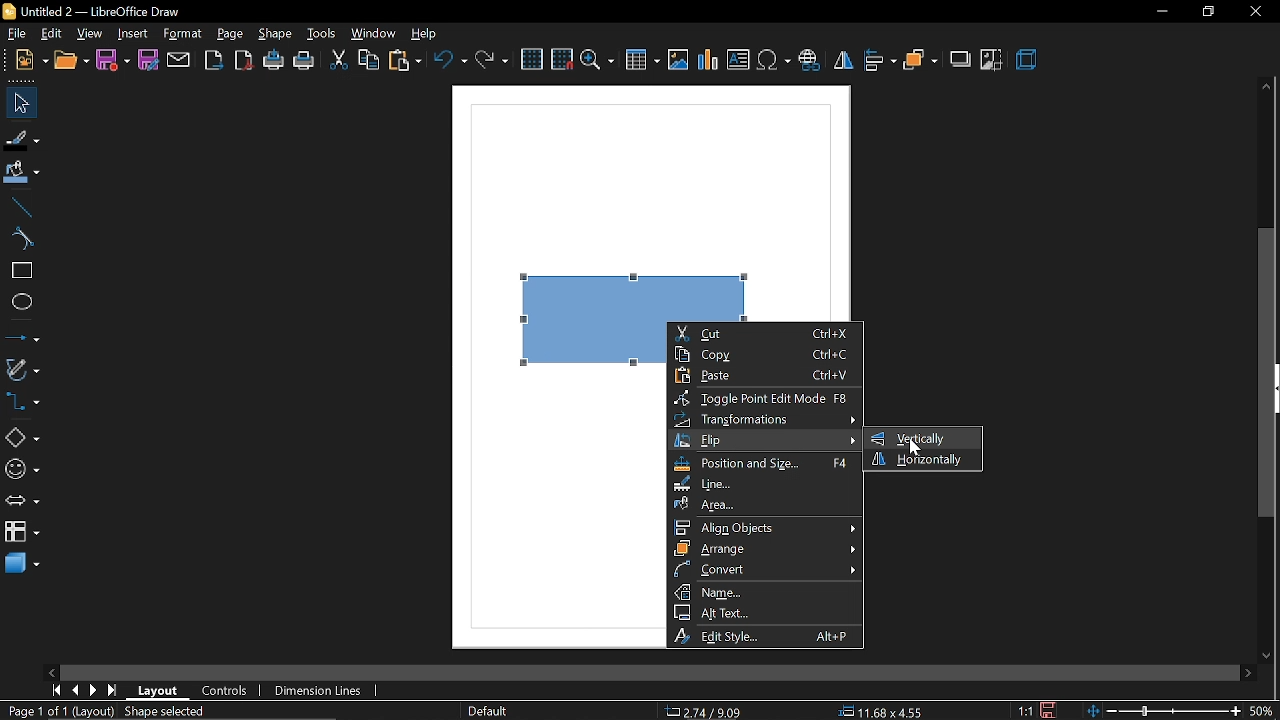 Image resolution: width=1280 pixels, height=720 pixels. What do you see at coordinates (274, 59) in the screenshot?
I see `print directly` at bounding box center [274, 59].